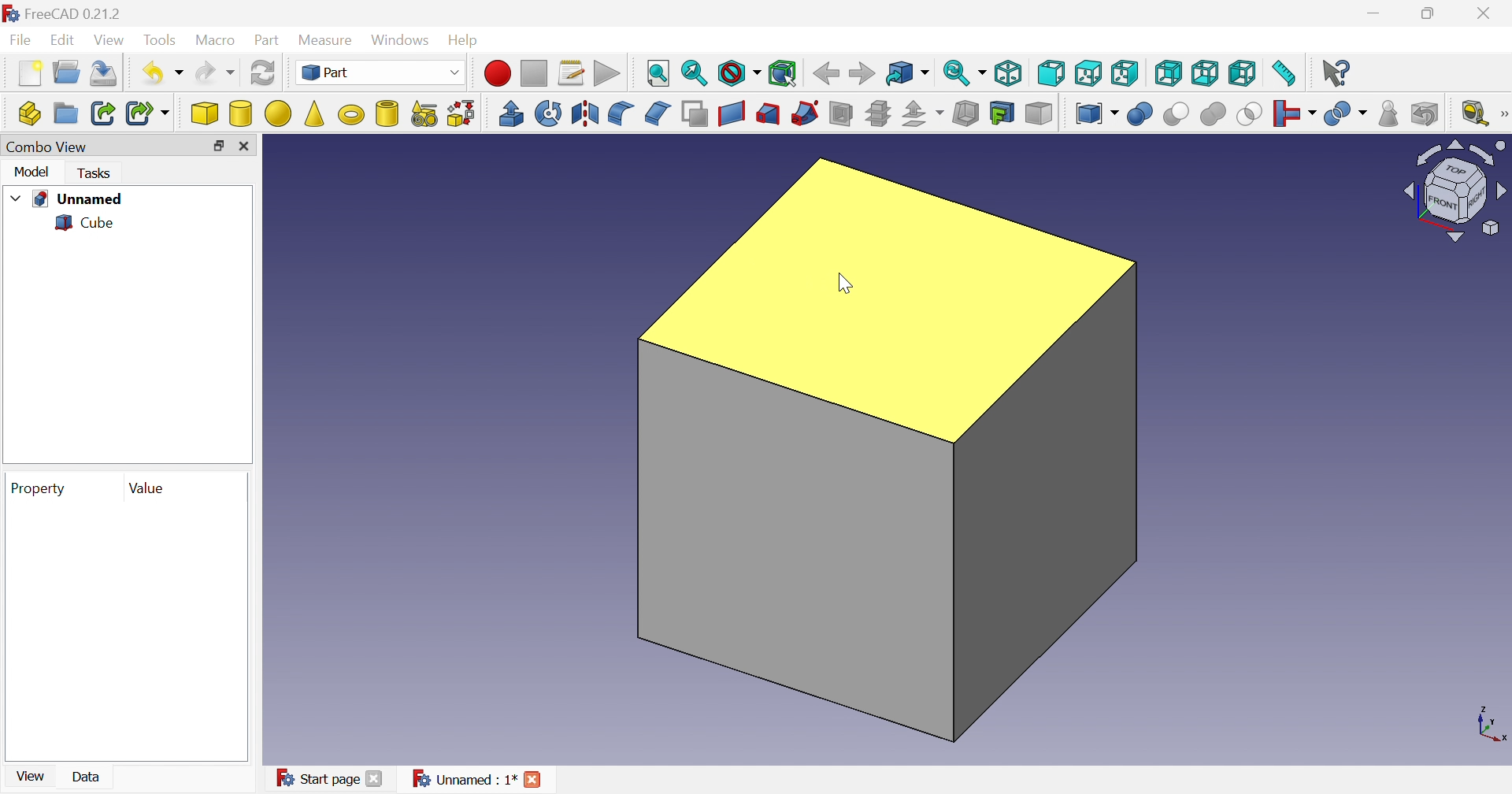 This screenshot has width=1512, height=794. Describe the element at coordinates (464, 41) in the screenshot. I see `Help` at that location.